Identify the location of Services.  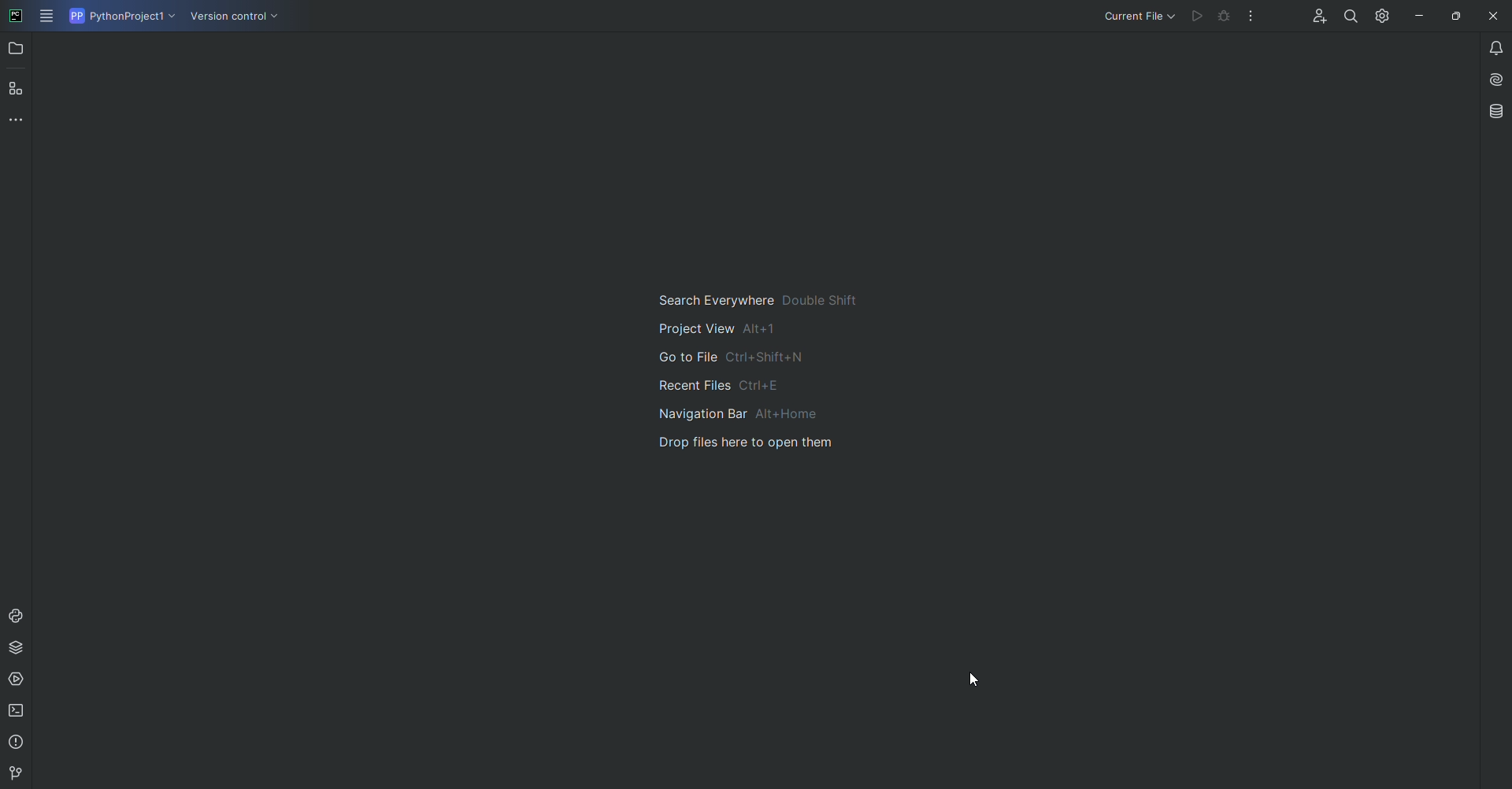
(18, 680).